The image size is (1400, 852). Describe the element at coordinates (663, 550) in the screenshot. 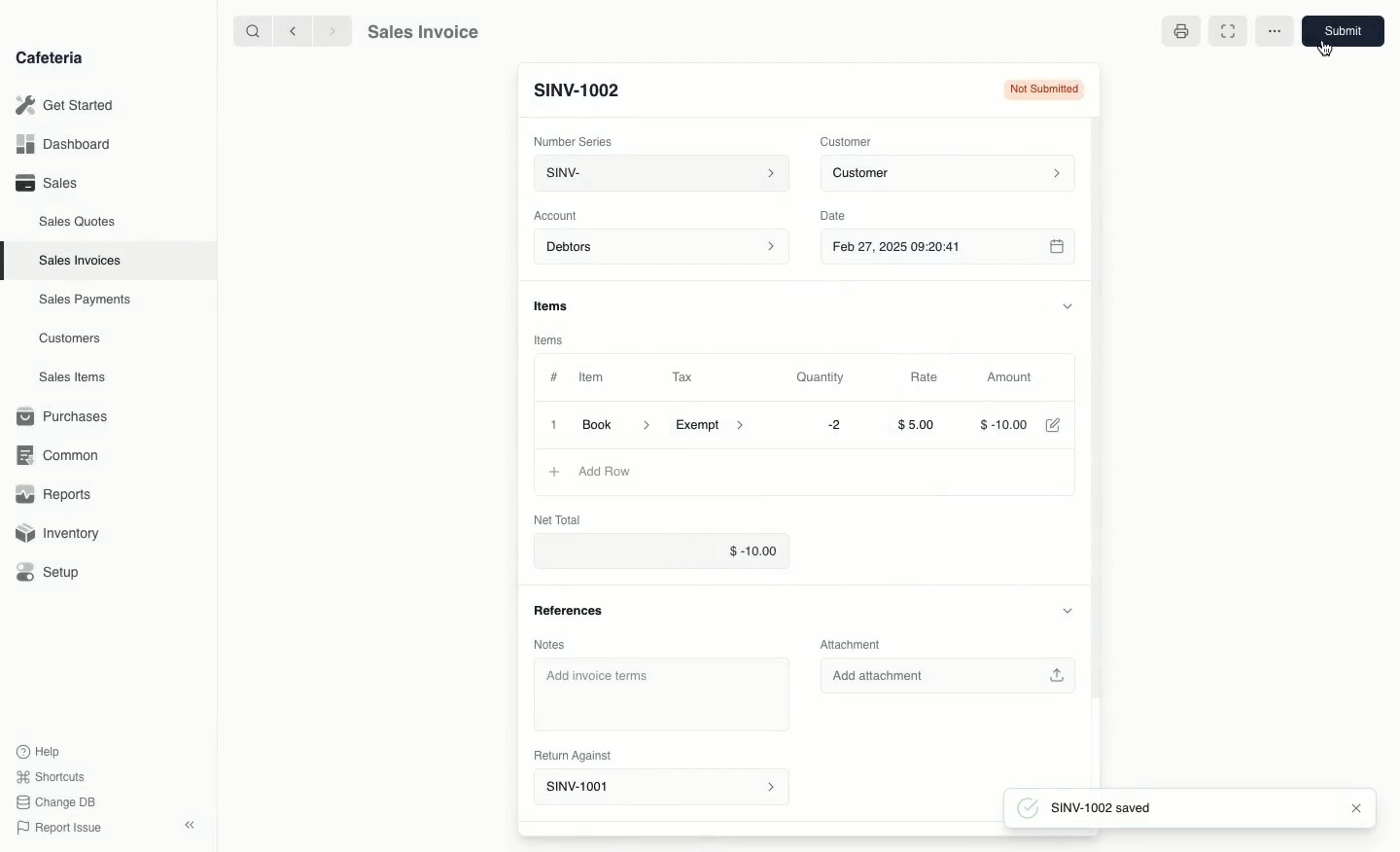

I see `$-10.00` at that location.